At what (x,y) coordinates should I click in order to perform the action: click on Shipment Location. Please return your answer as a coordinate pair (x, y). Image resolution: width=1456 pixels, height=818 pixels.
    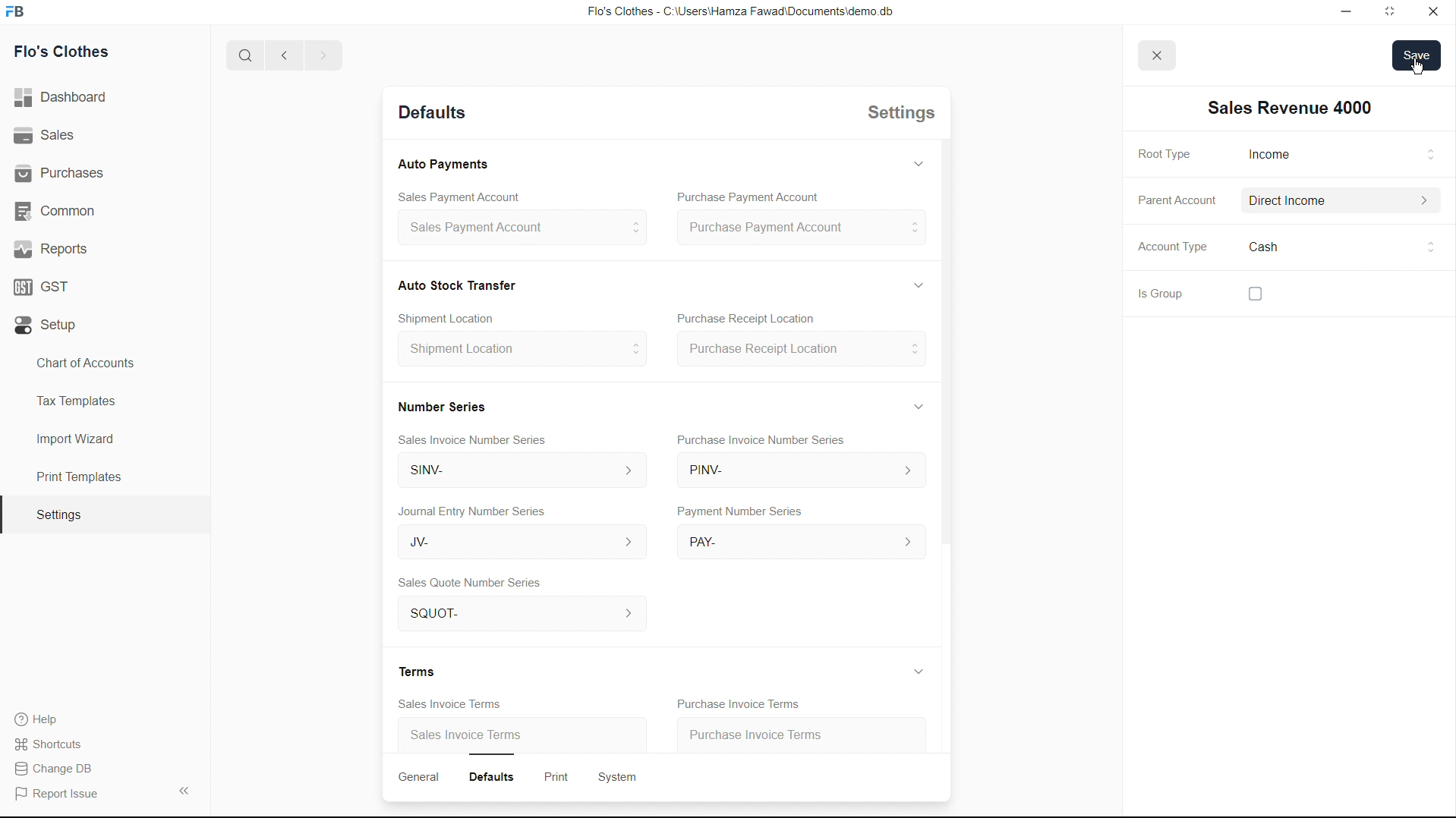
    Looking at the image, I should click on (521, 354).